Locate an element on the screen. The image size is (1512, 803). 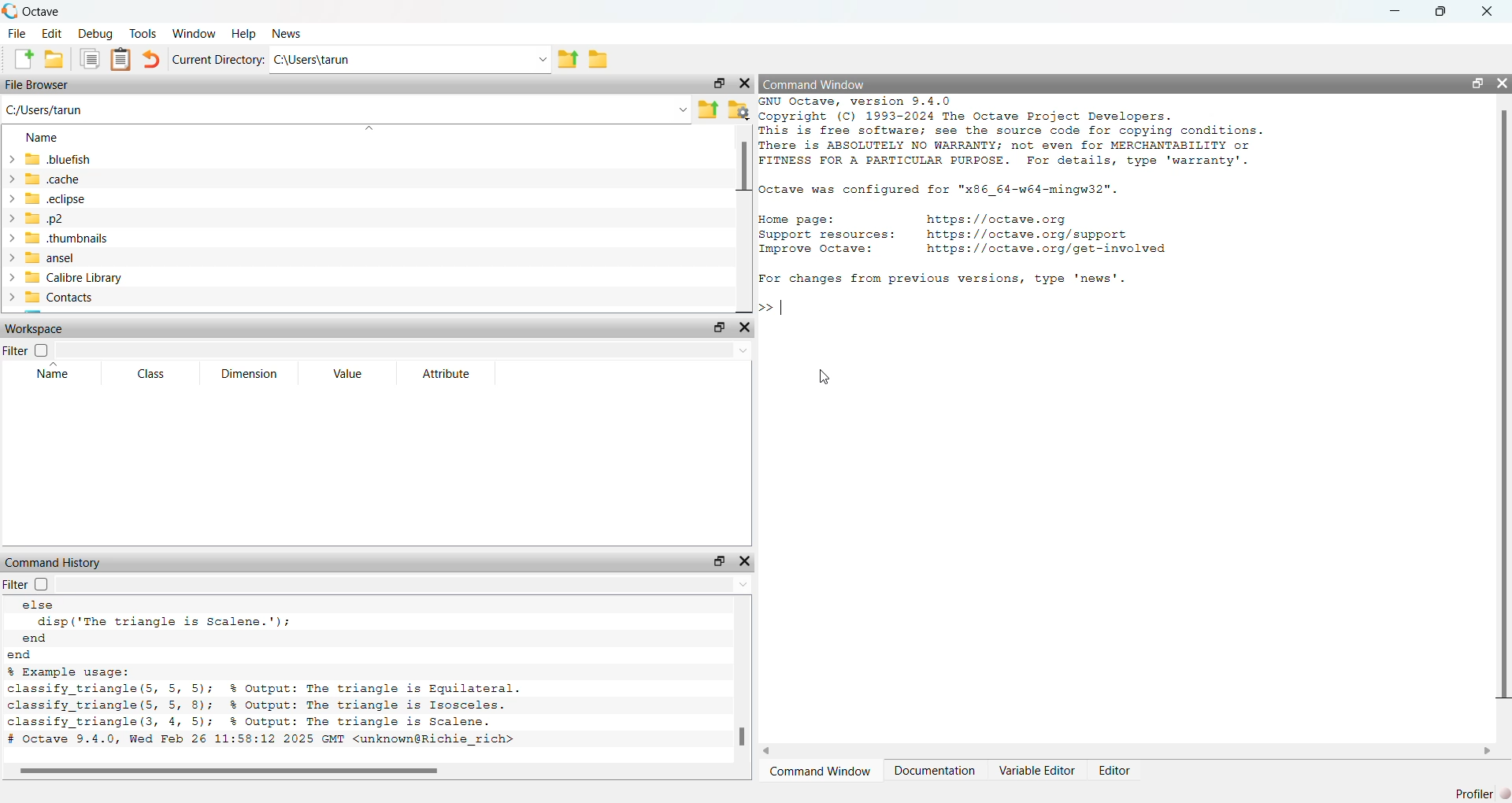
maximize is located at coordinates (1444, 11).